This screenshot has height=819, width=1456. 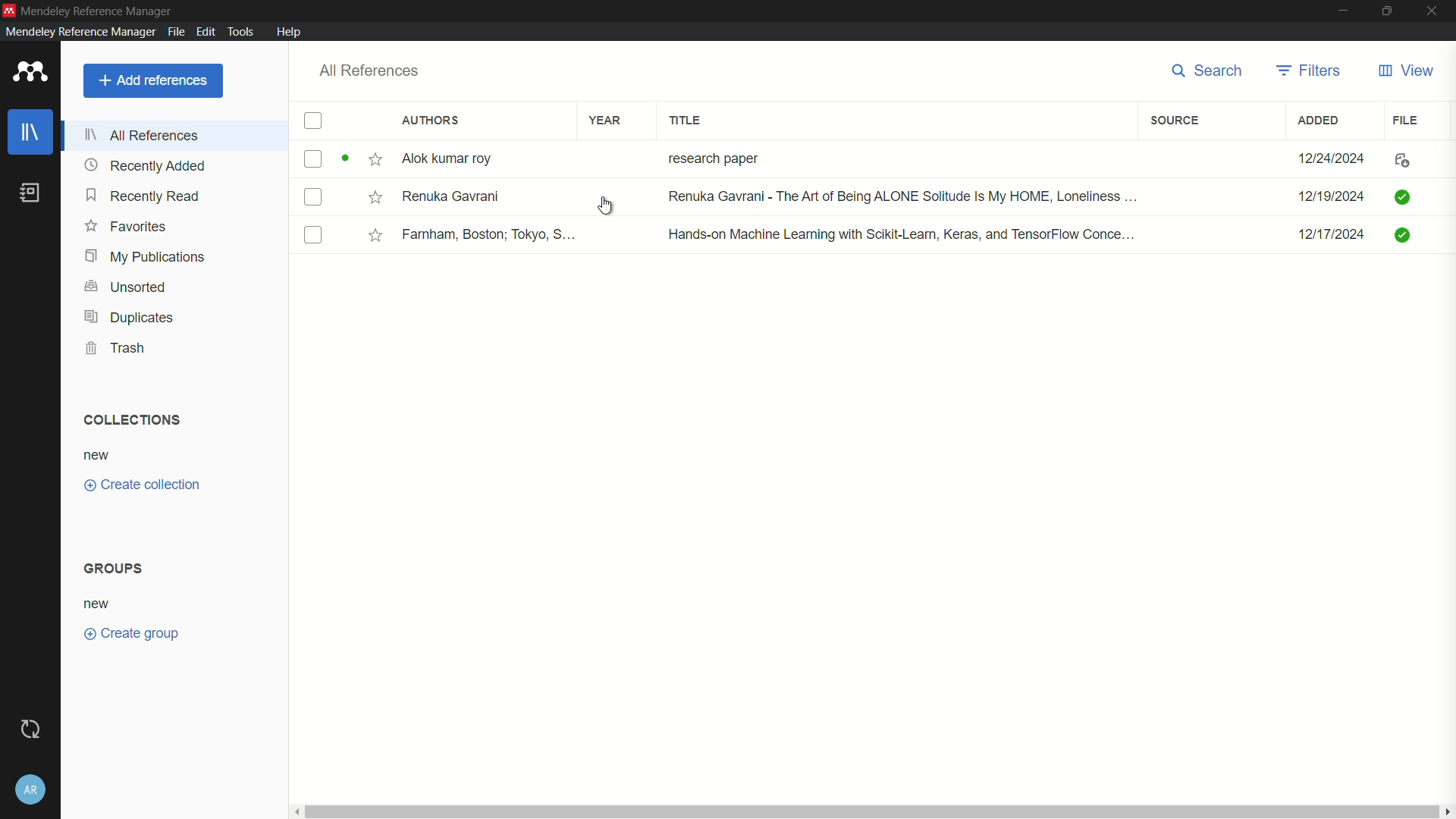 I want to click on year, so click(x=604, y=121).